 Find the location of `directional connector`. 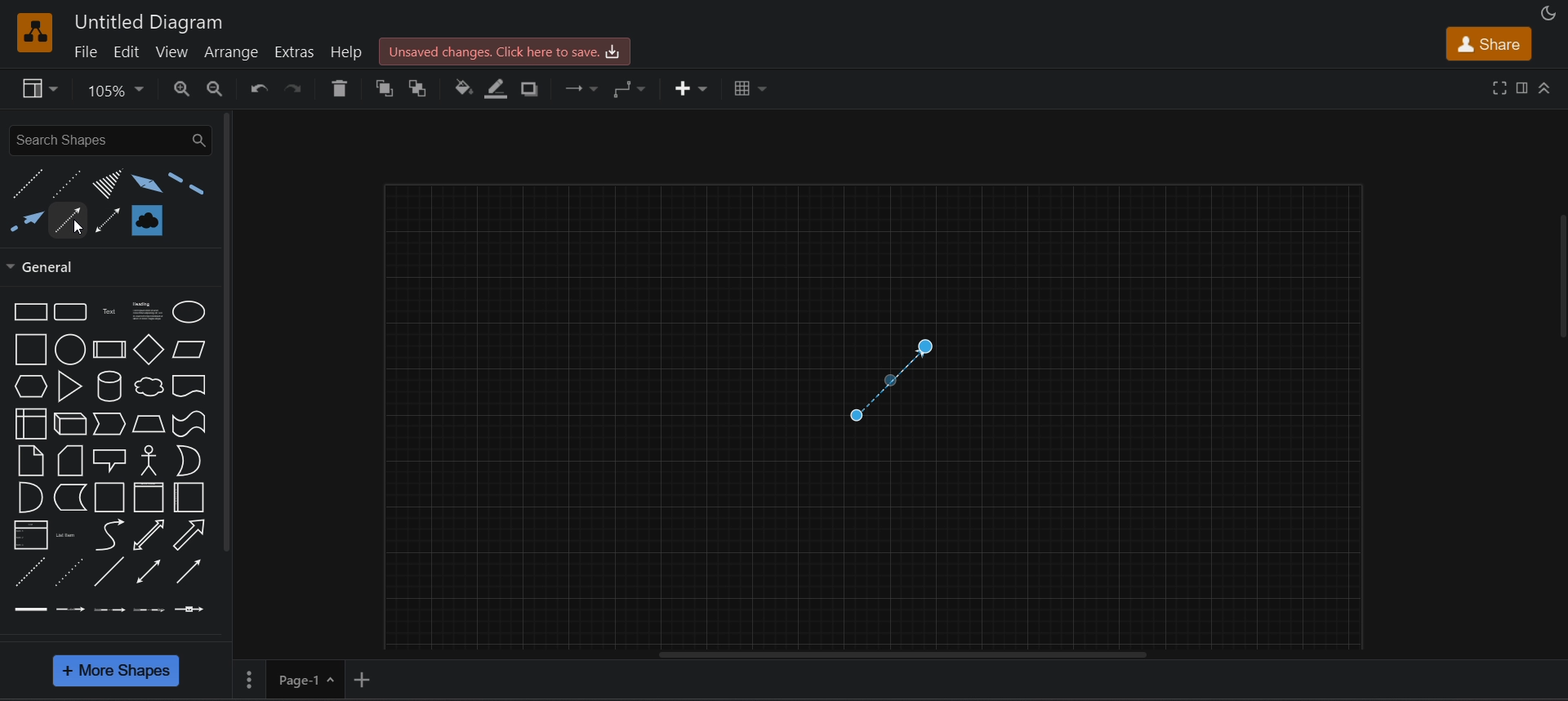

directional connector is located at coordinates (189, 569).